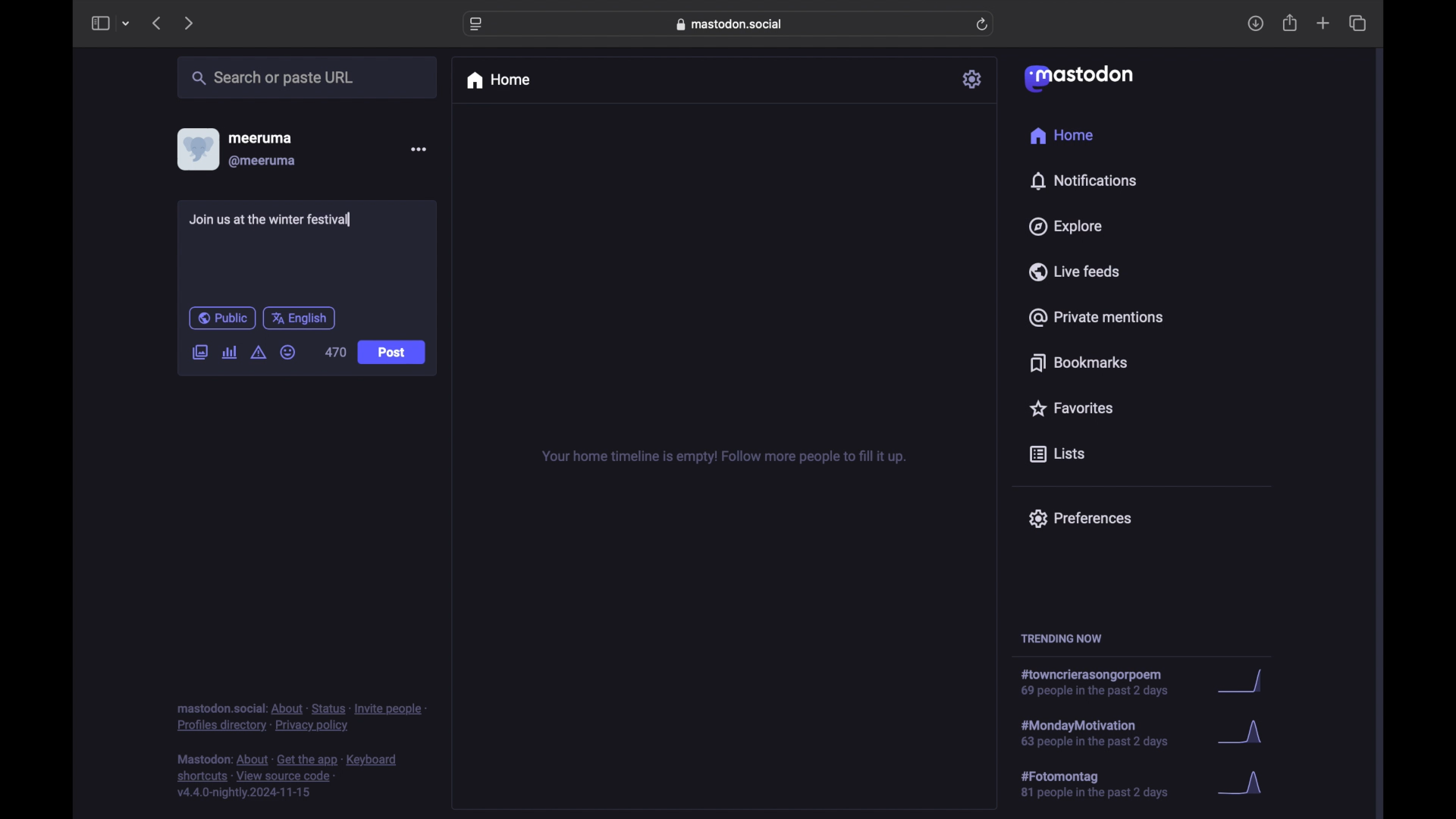 The image size is (1456, 819). I want to click on add  poll, so click(229, 352).